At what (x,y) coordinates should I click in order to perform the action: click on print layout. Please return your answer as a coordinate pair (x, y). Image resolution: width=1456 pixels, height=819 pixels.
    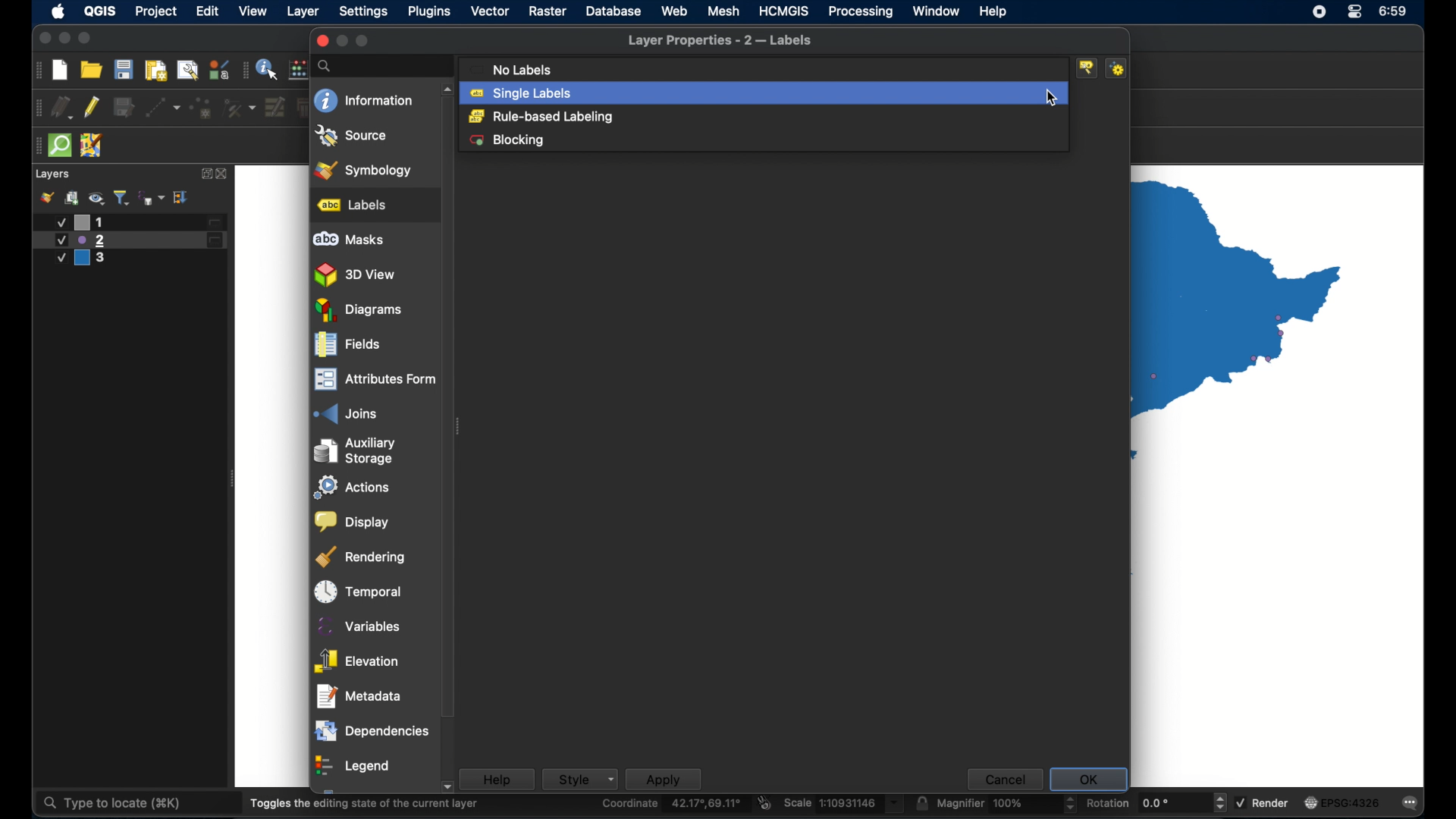
    Looking at the image, I should click on (156, 71).